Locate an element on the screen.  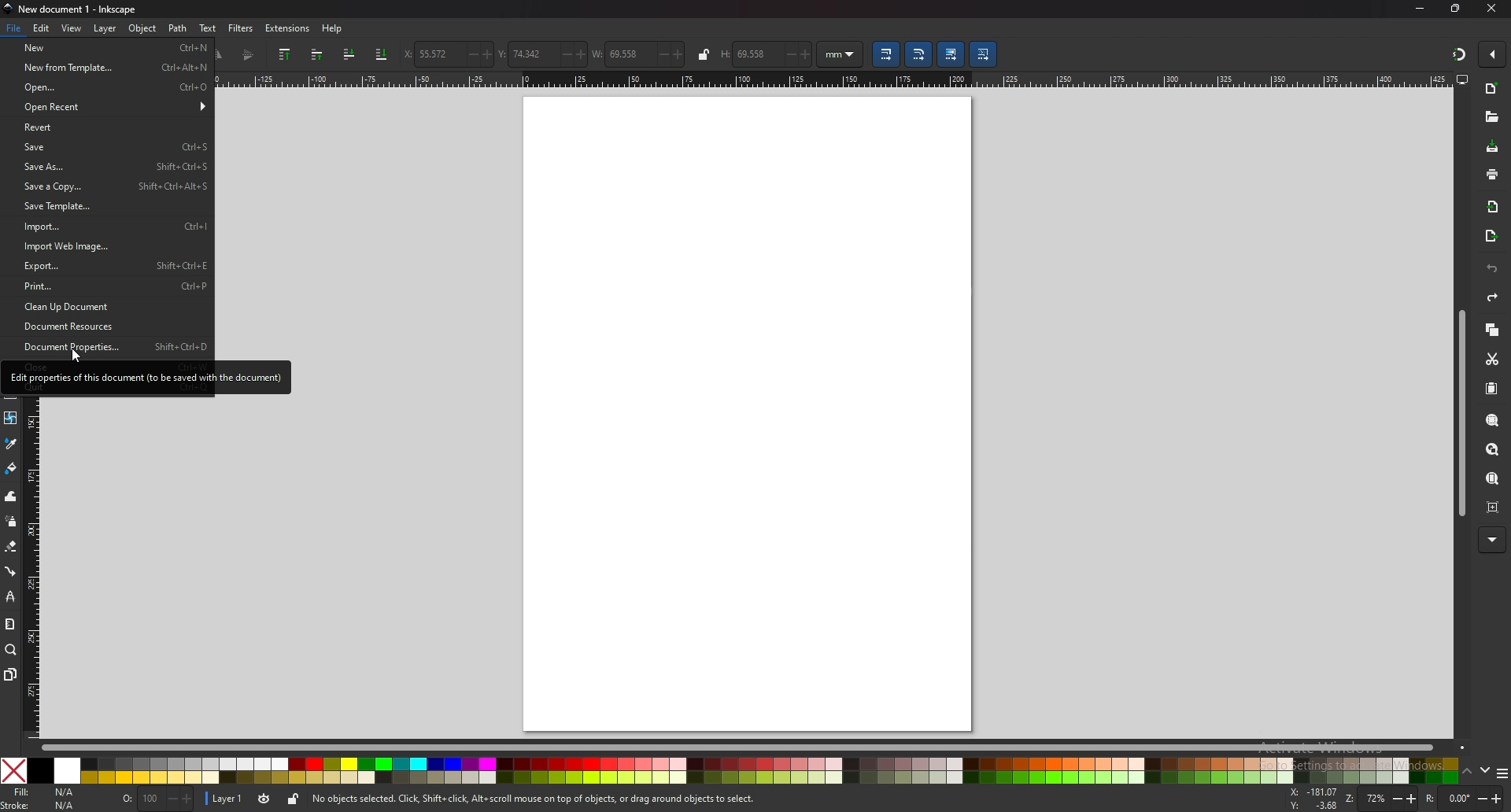
open is located at coordinates (1492, 116).